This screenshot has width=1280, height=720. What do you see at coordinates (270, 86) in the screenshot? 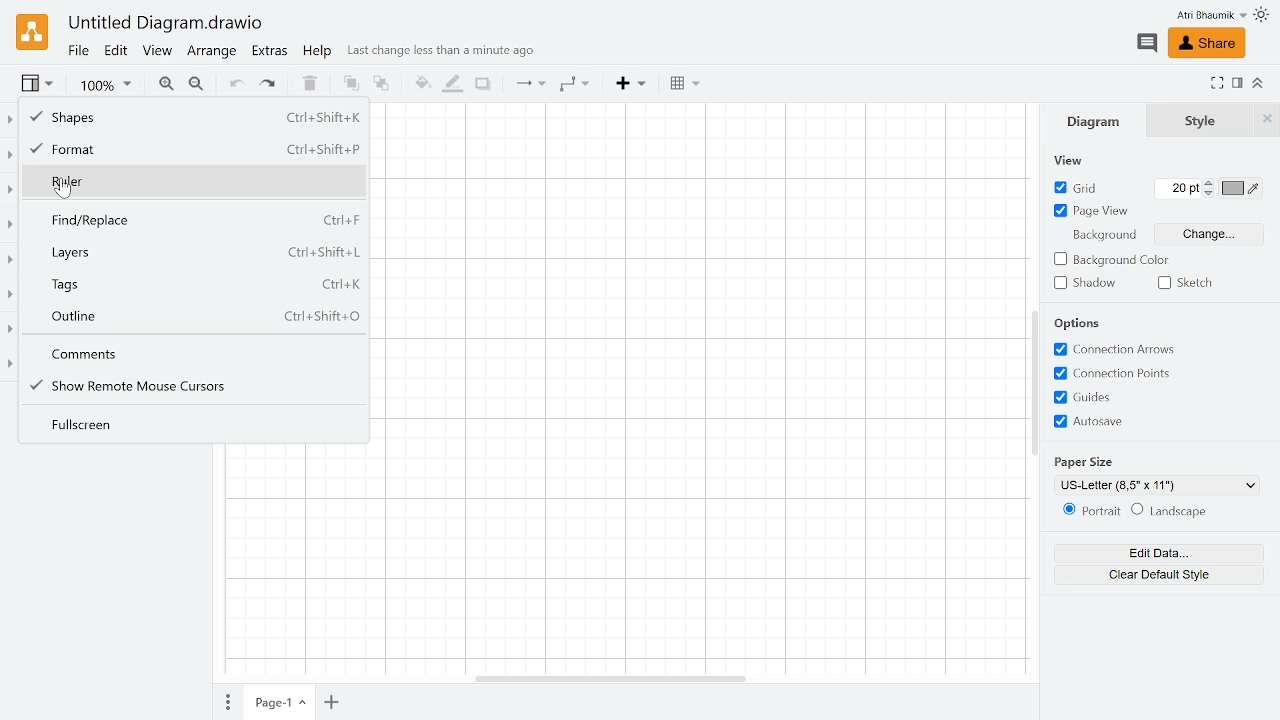
I see `Redo` at bounding box center [270, 86].